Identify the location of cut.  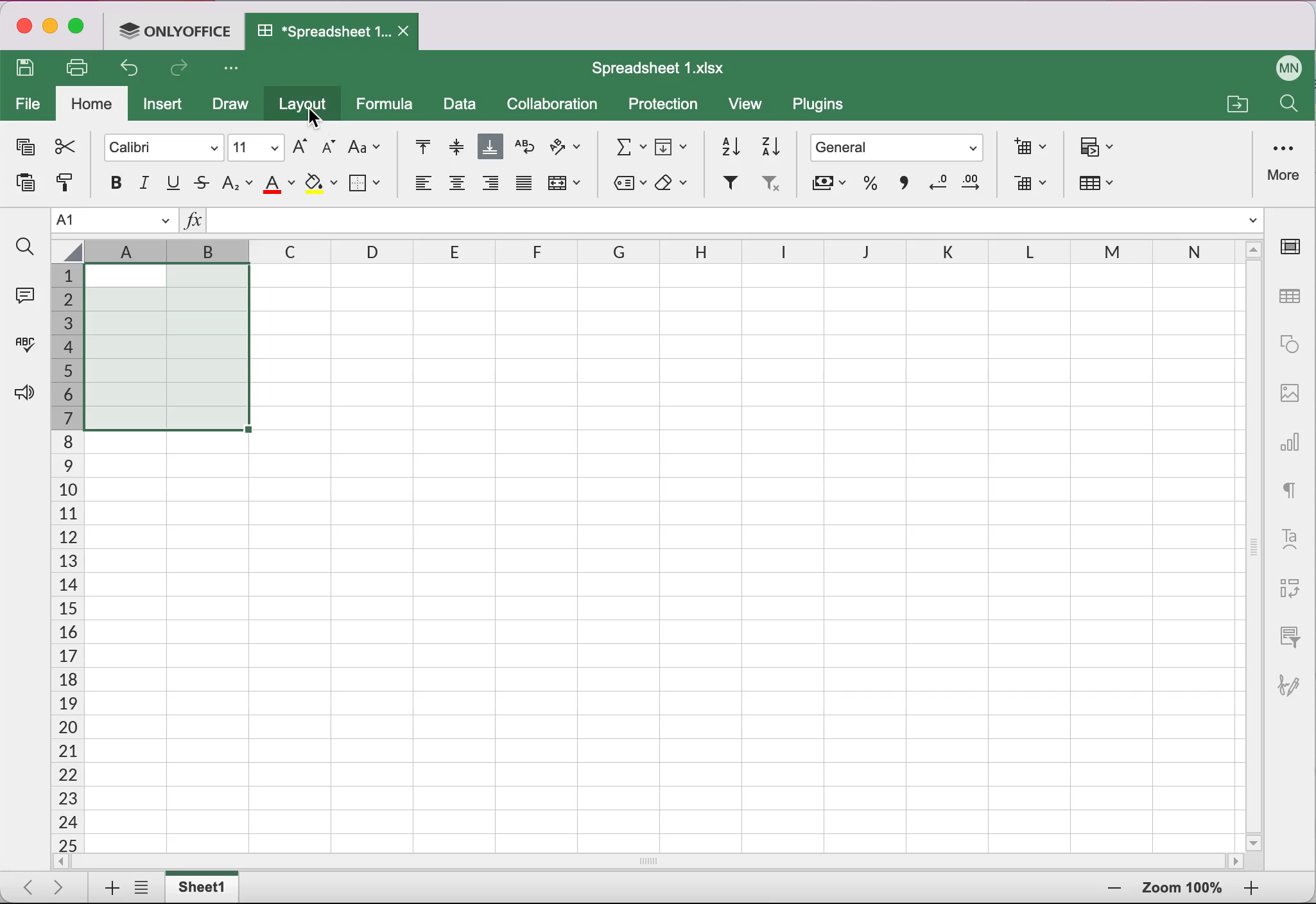
(64, 146).